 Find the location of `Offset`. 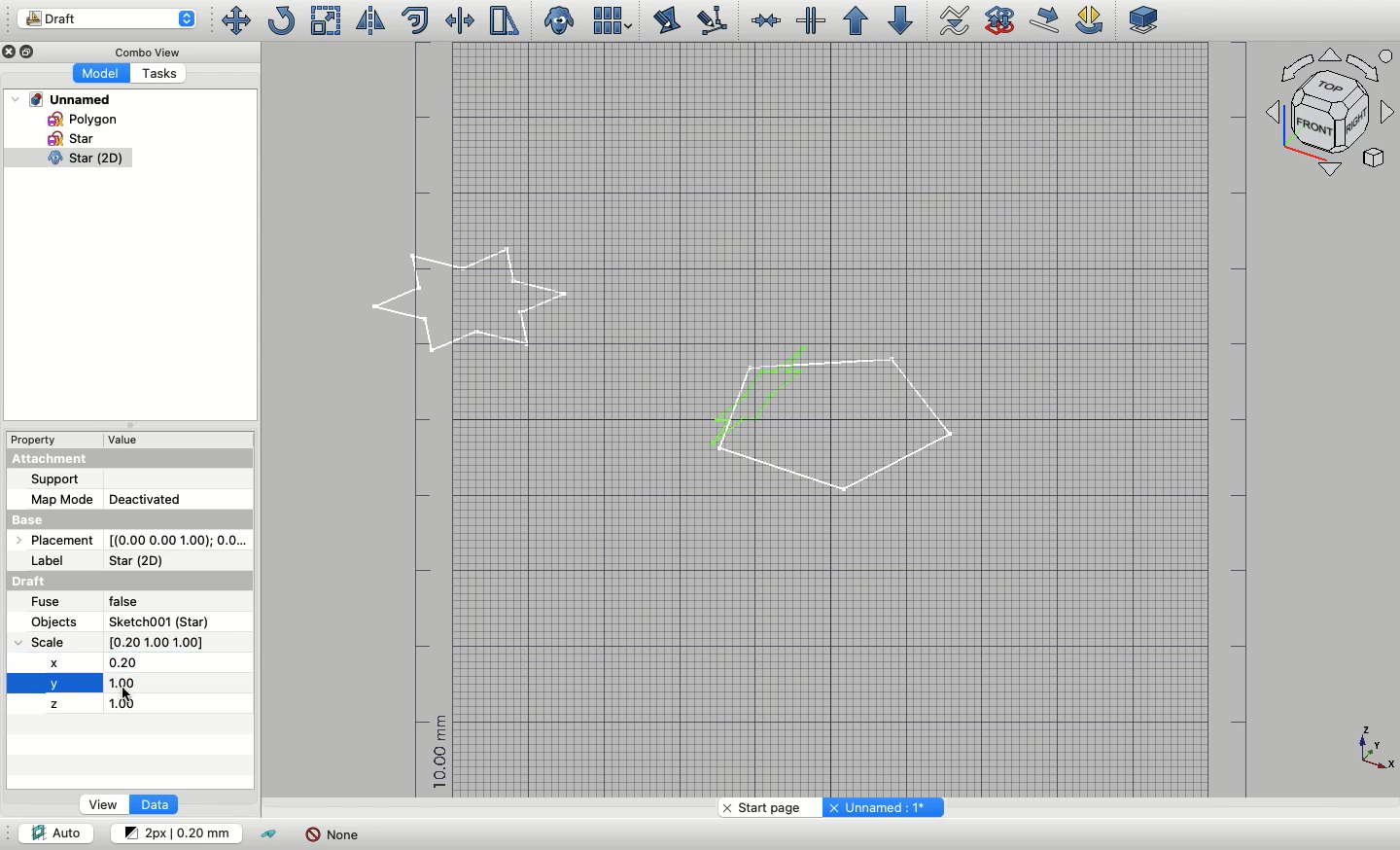

Offset is located at coordinates (415, 20).